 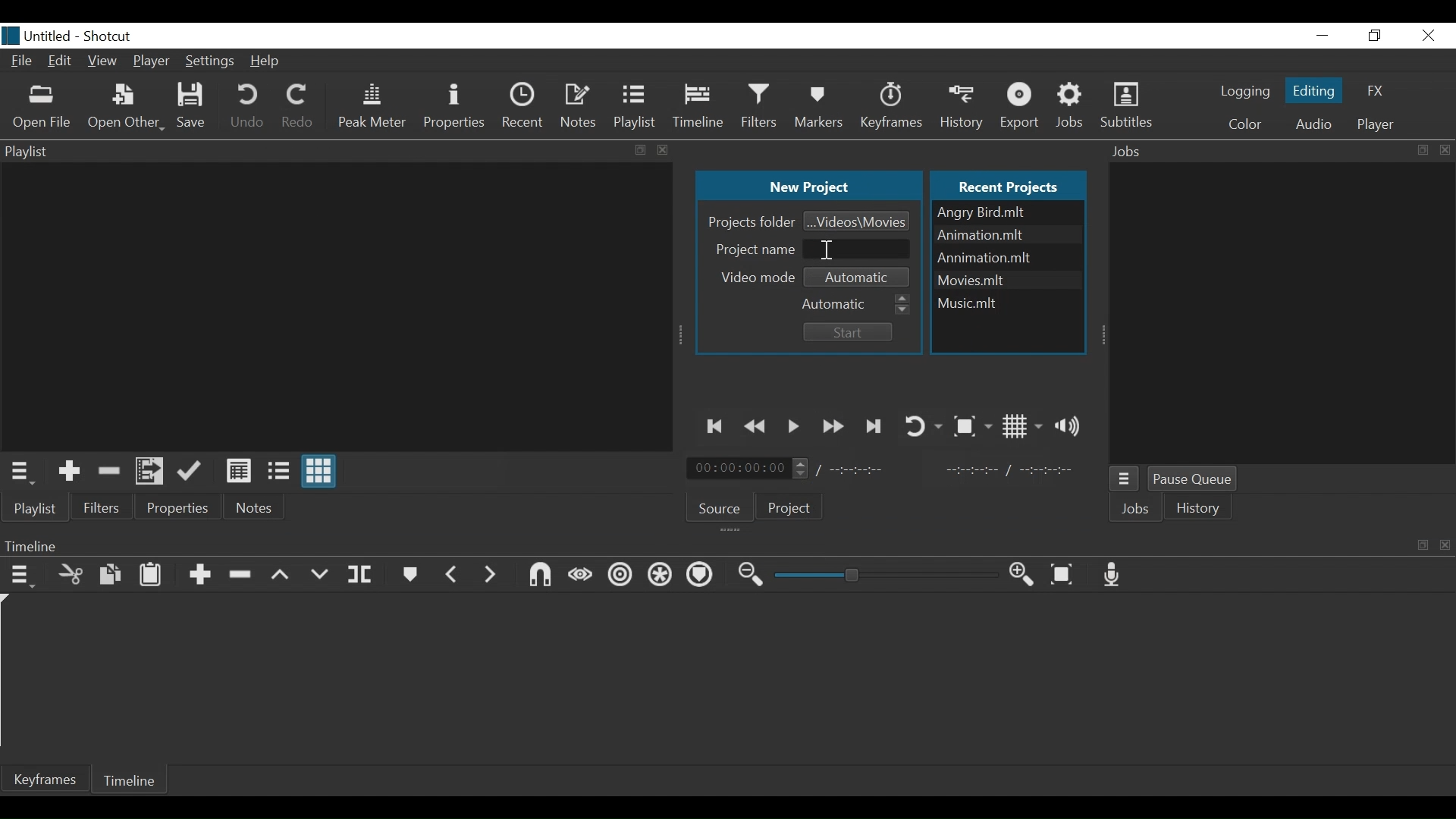 What do you see at coordinates (749, 221) in the screenshot?
I see `Projects Folder` at bounding box center [749, 221].